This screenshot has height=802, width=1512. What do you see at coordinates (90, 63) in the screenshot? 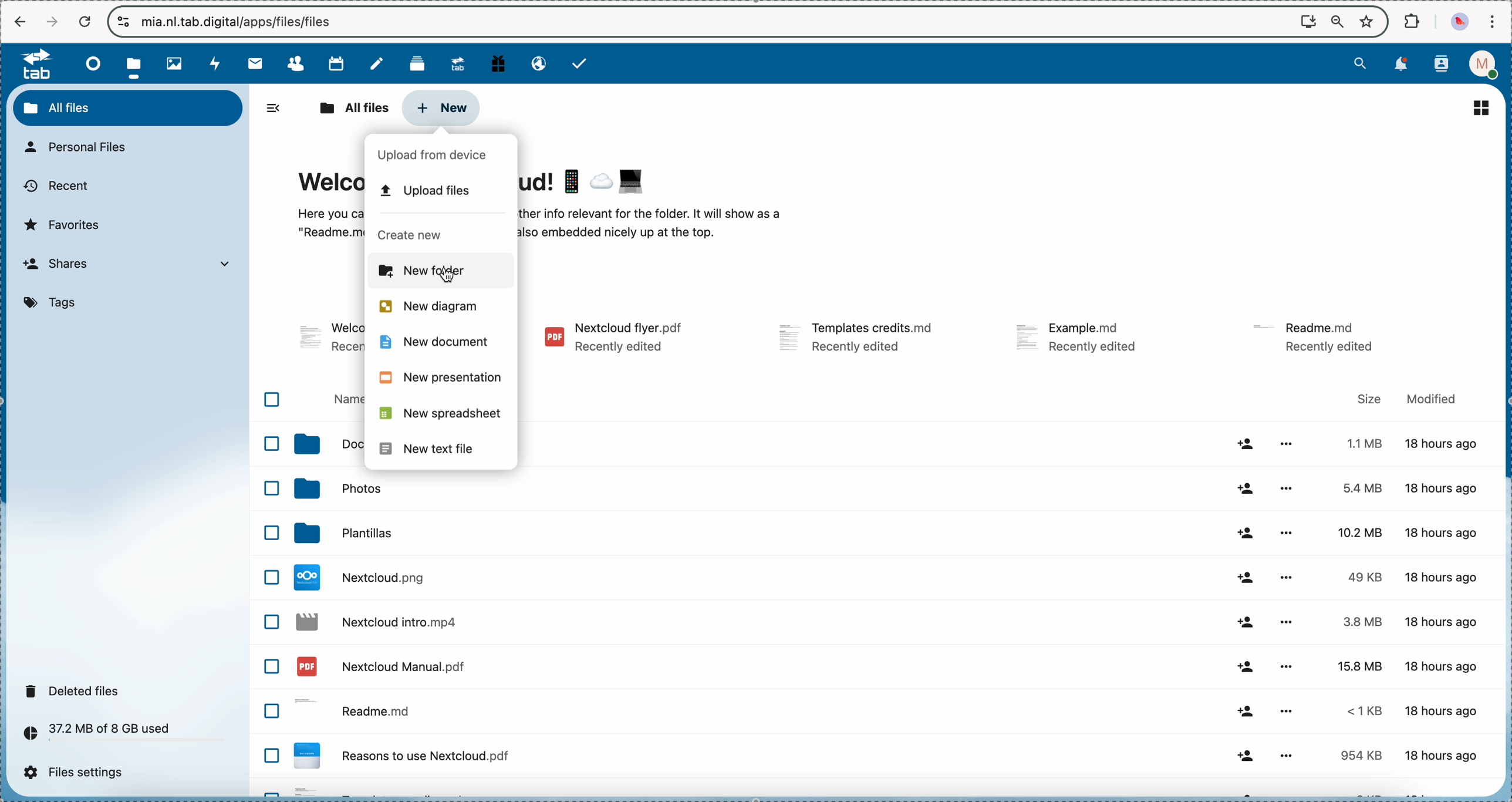
I see `dashboard` at bounding box center [90, 63].